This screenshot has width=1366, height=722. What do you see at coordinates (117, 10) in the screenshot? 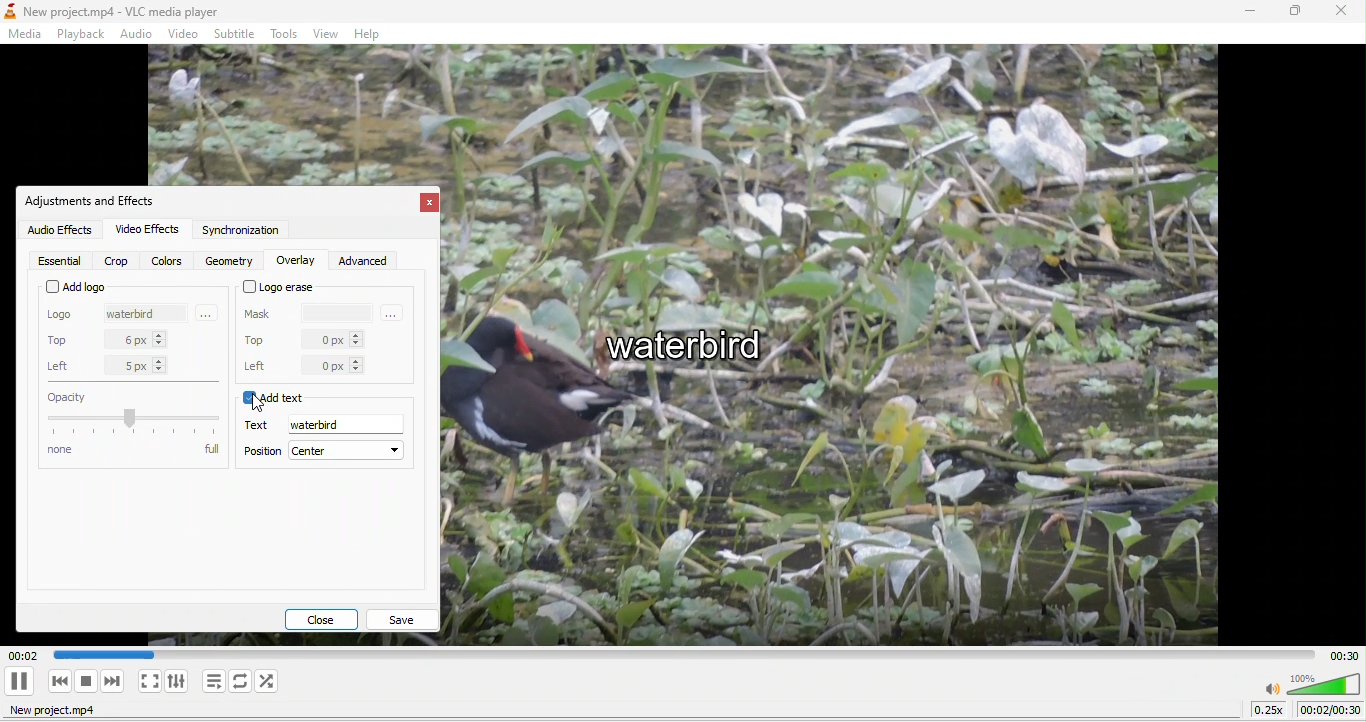
I see `New project.mp4 - VLC media player` at bounding box center [117, 10].